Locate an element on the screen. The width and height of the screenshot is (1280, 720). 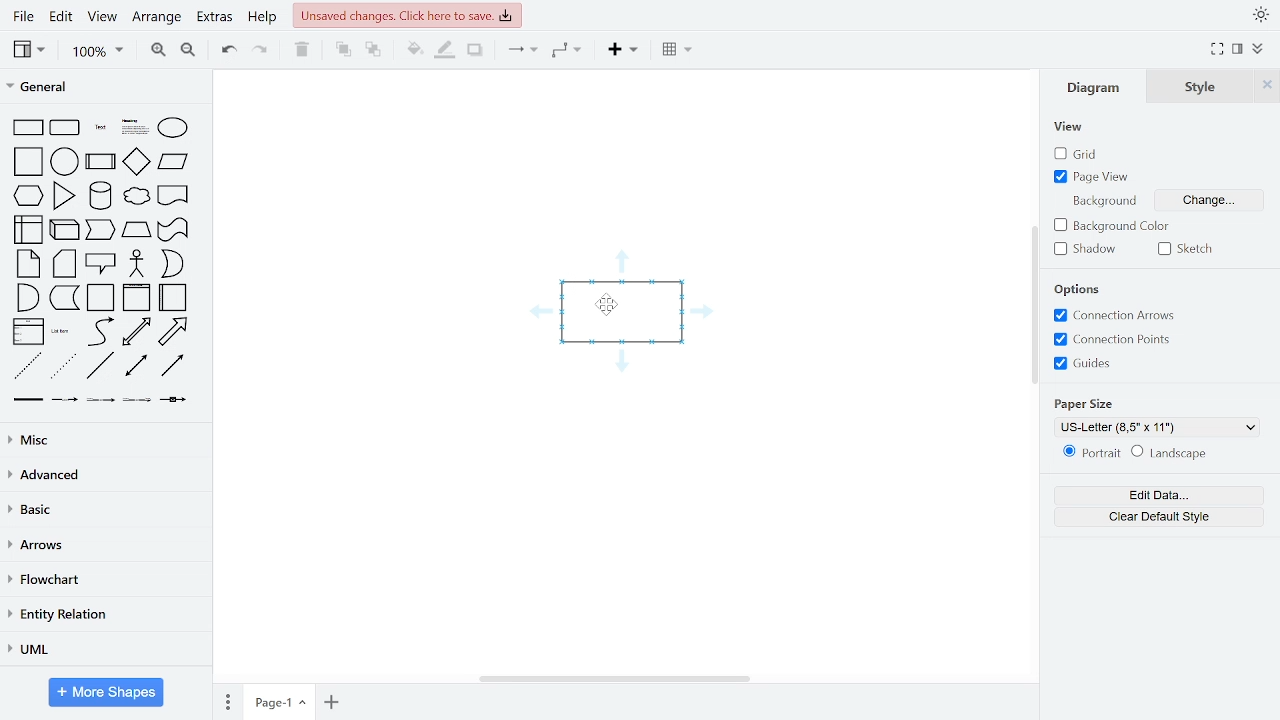
delete is located at coordinates (300, 50).